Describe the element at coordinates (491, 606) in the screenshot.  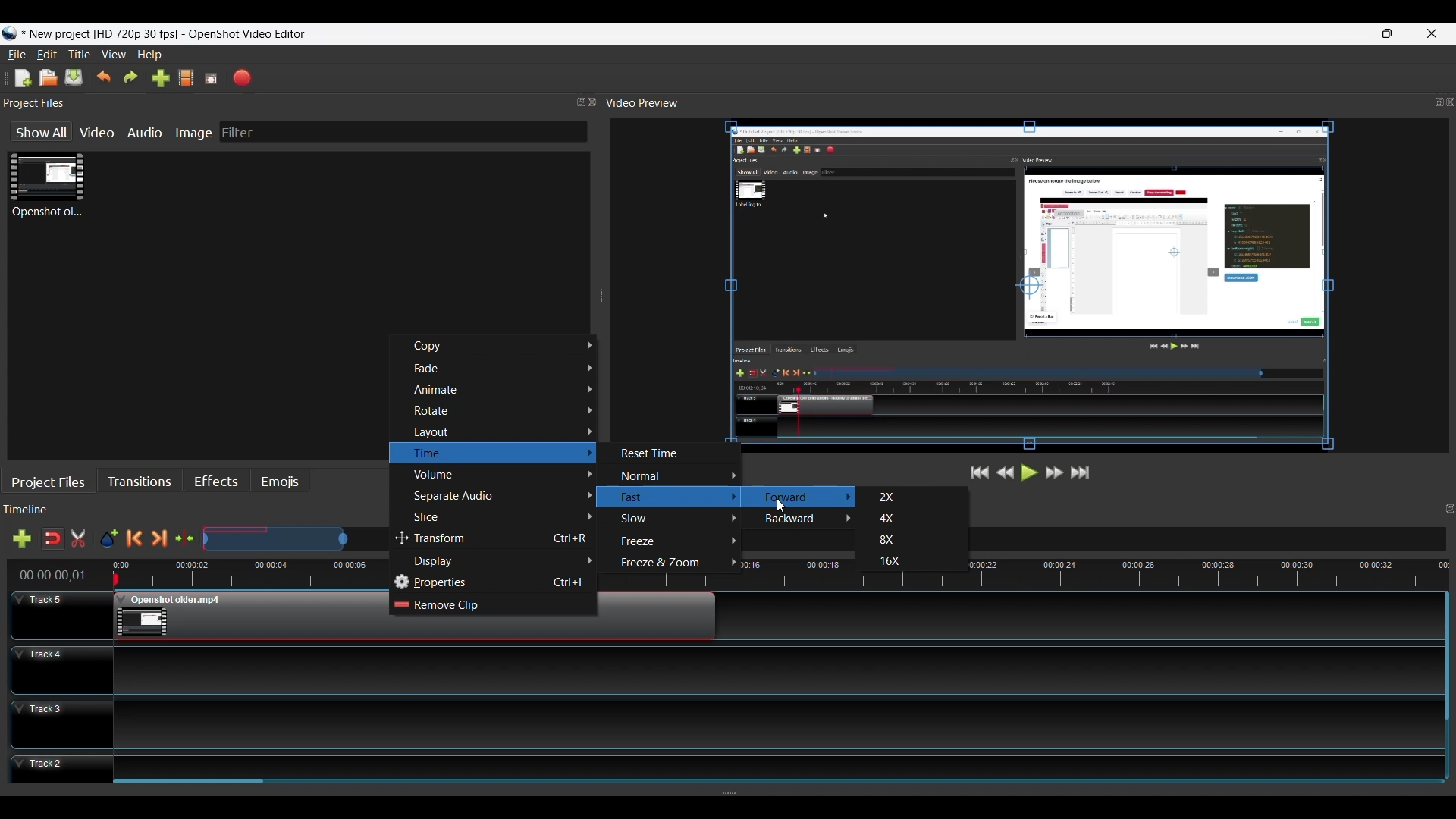
I see `Remove Clip` at that location.